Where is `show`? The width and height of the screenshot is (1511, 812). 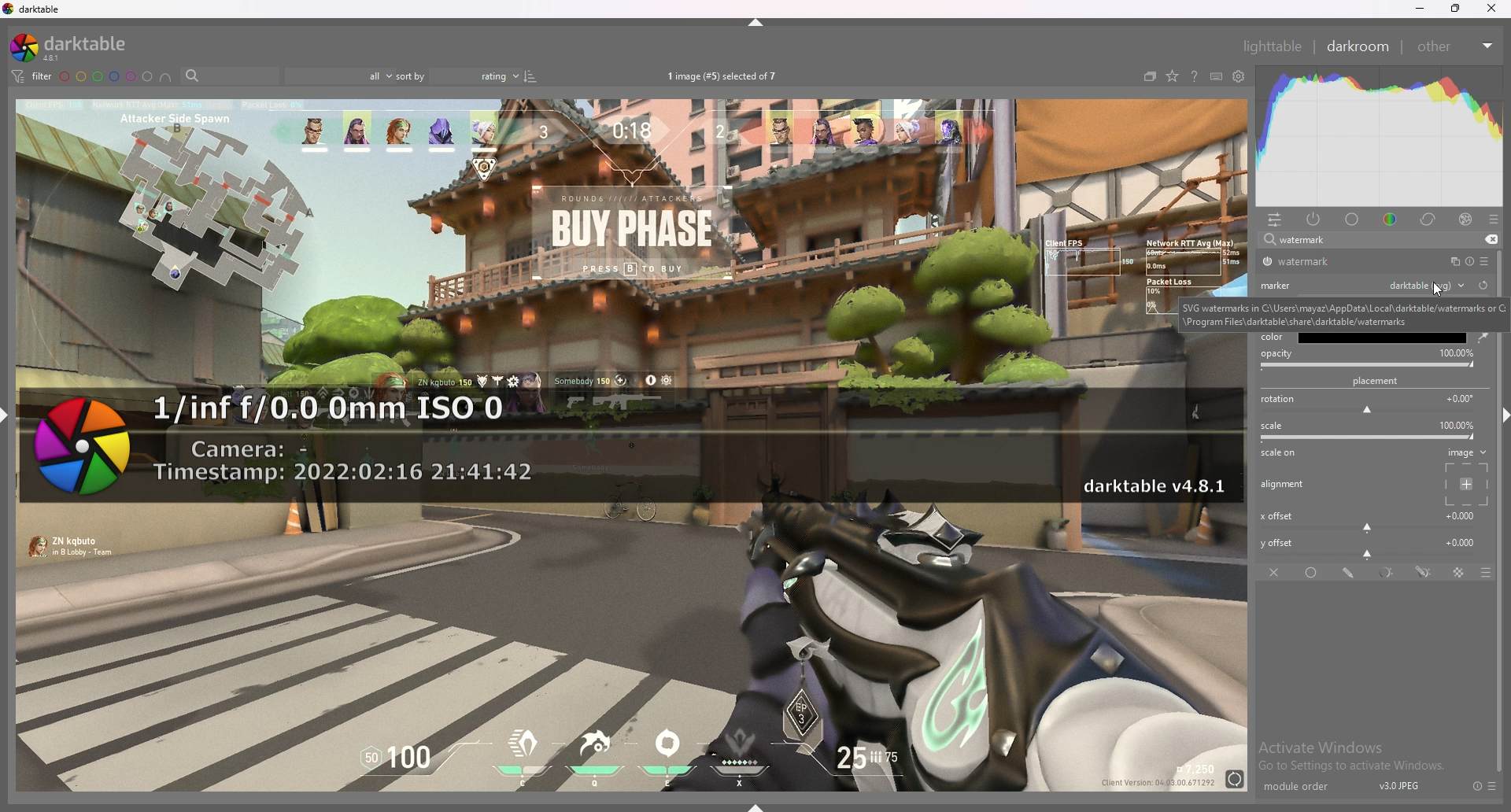 show is located at coordinates (762, 803).